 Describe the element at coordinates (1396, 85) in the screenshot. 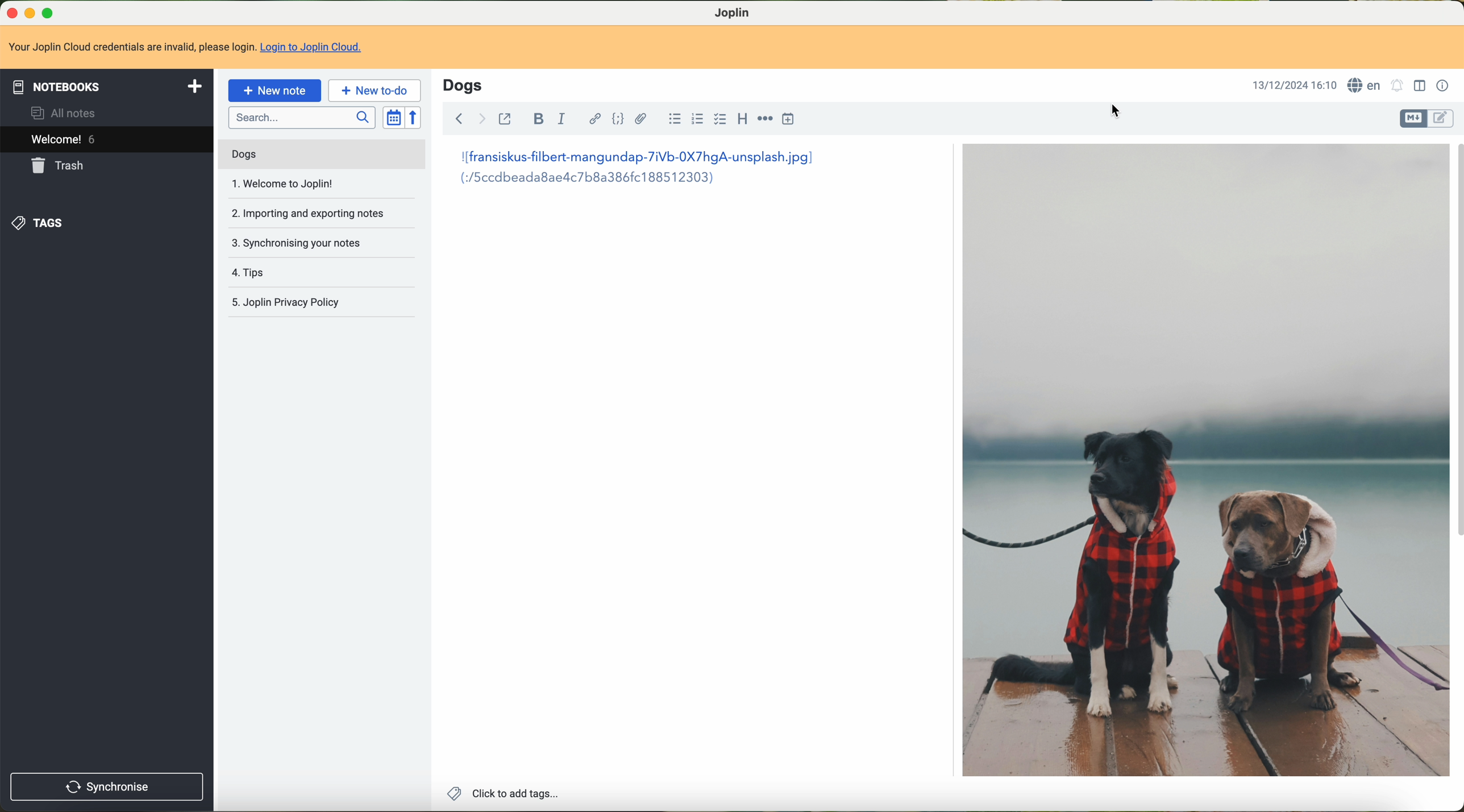

I see `set alarm` at that location.